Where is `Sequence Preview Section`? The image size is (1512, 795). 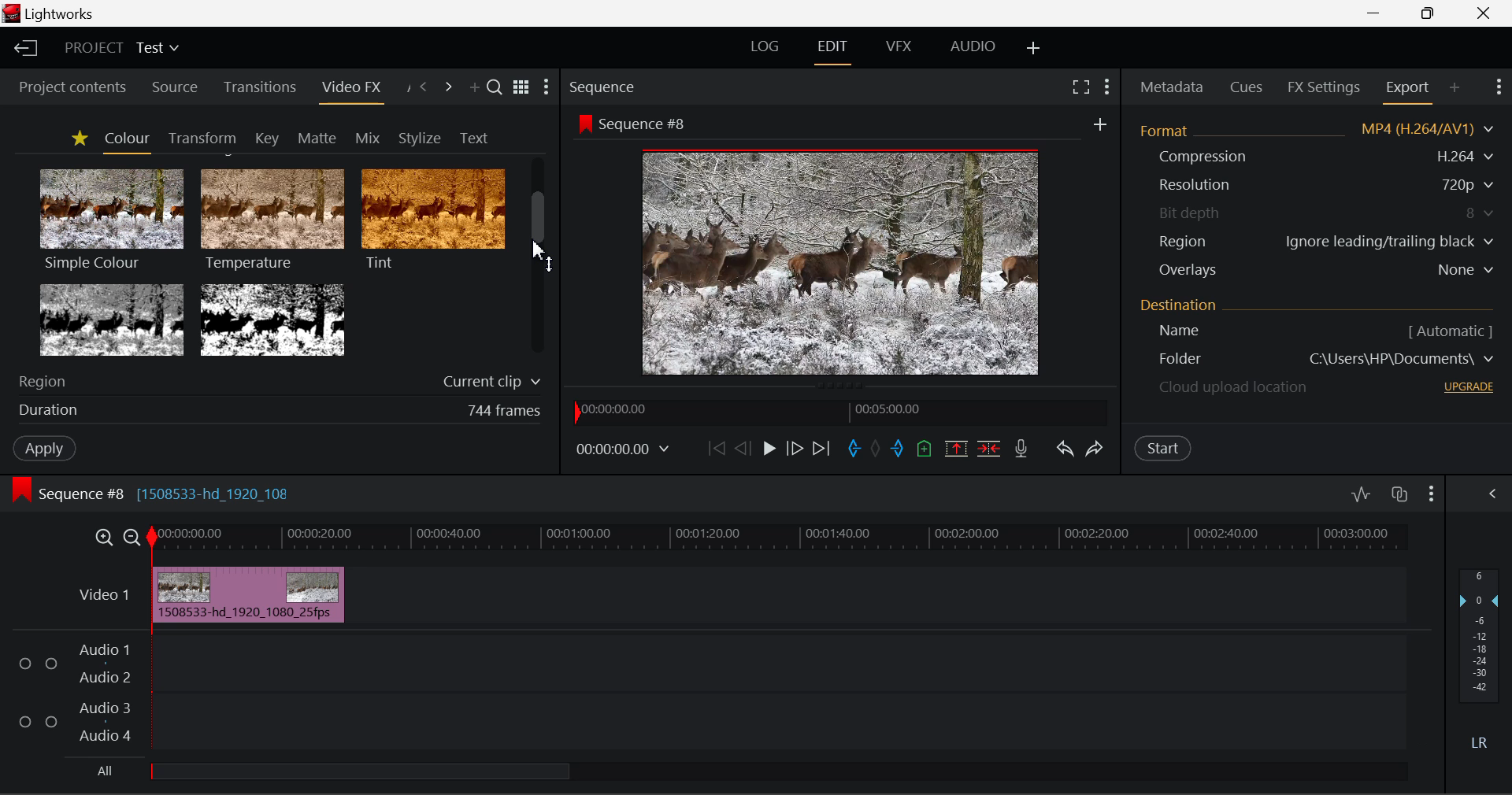 Sequence Preview Section is located at coordinates (605, 89).